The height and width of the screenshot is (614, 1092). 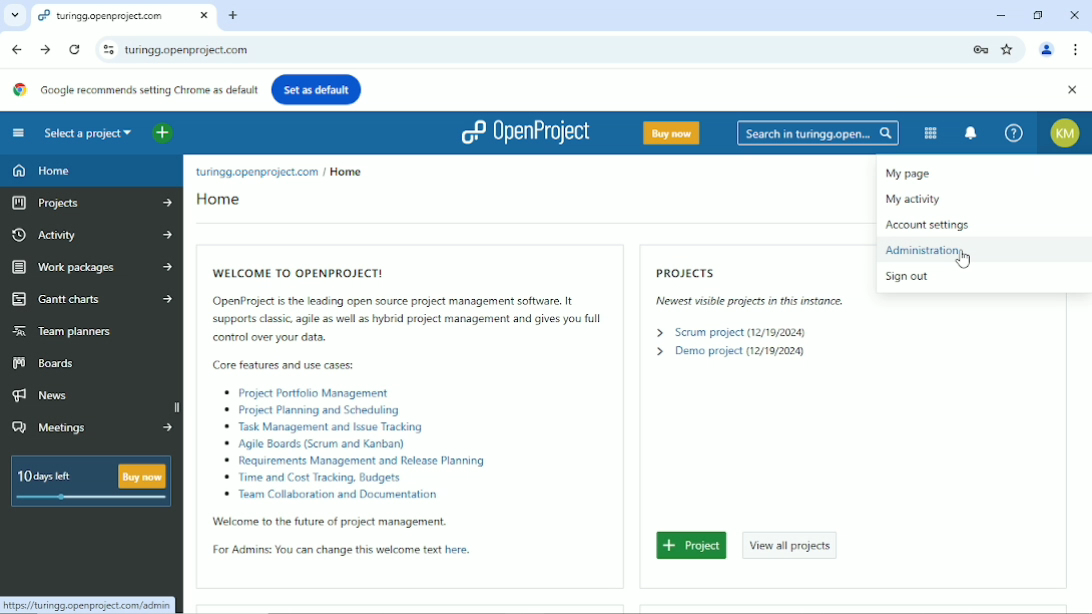 What do you see at coordinates (88, 133) in the screenshot?
I see `Select a project` at bounding box center [88, 133].